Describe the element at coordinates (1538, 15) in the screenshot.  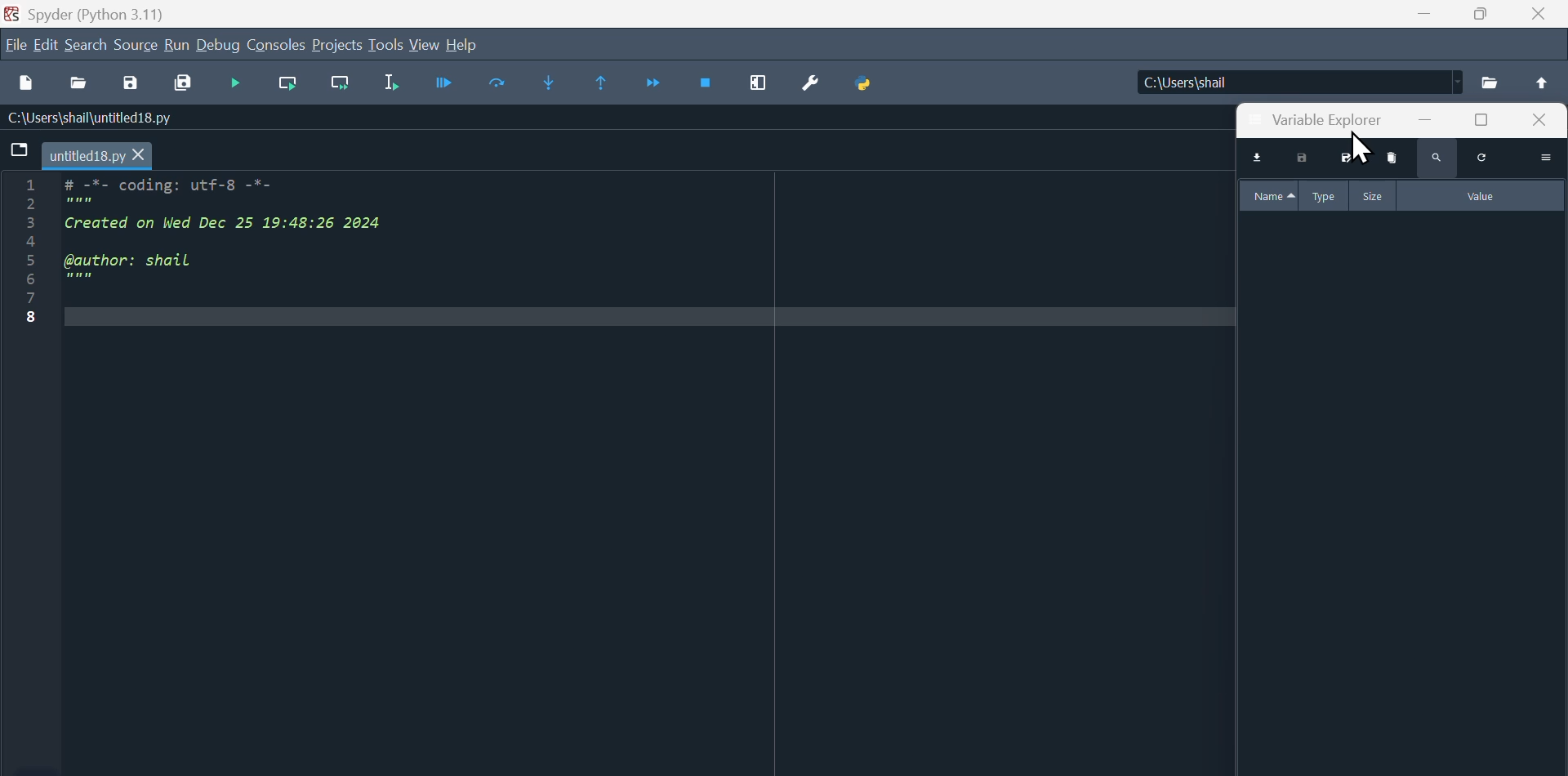
I see `Close` at that location.